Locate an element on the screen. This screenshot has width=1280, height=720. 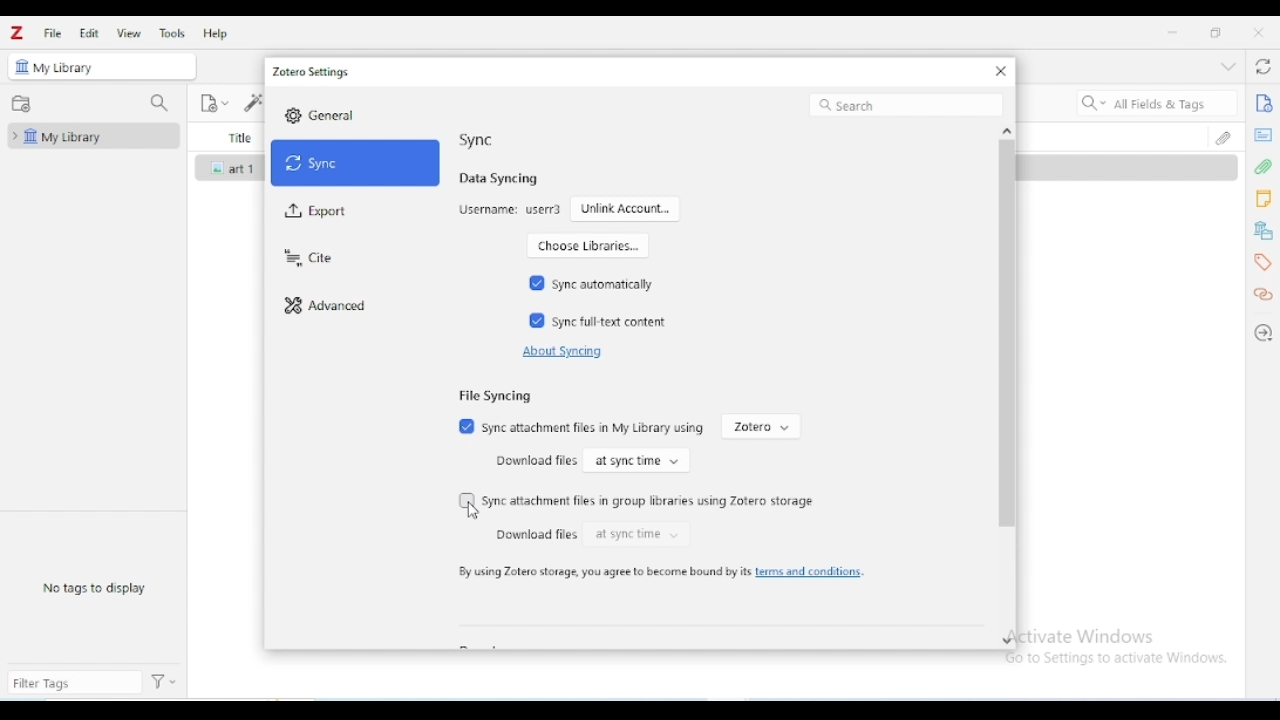
locate is located at coordinates (1264, 333).